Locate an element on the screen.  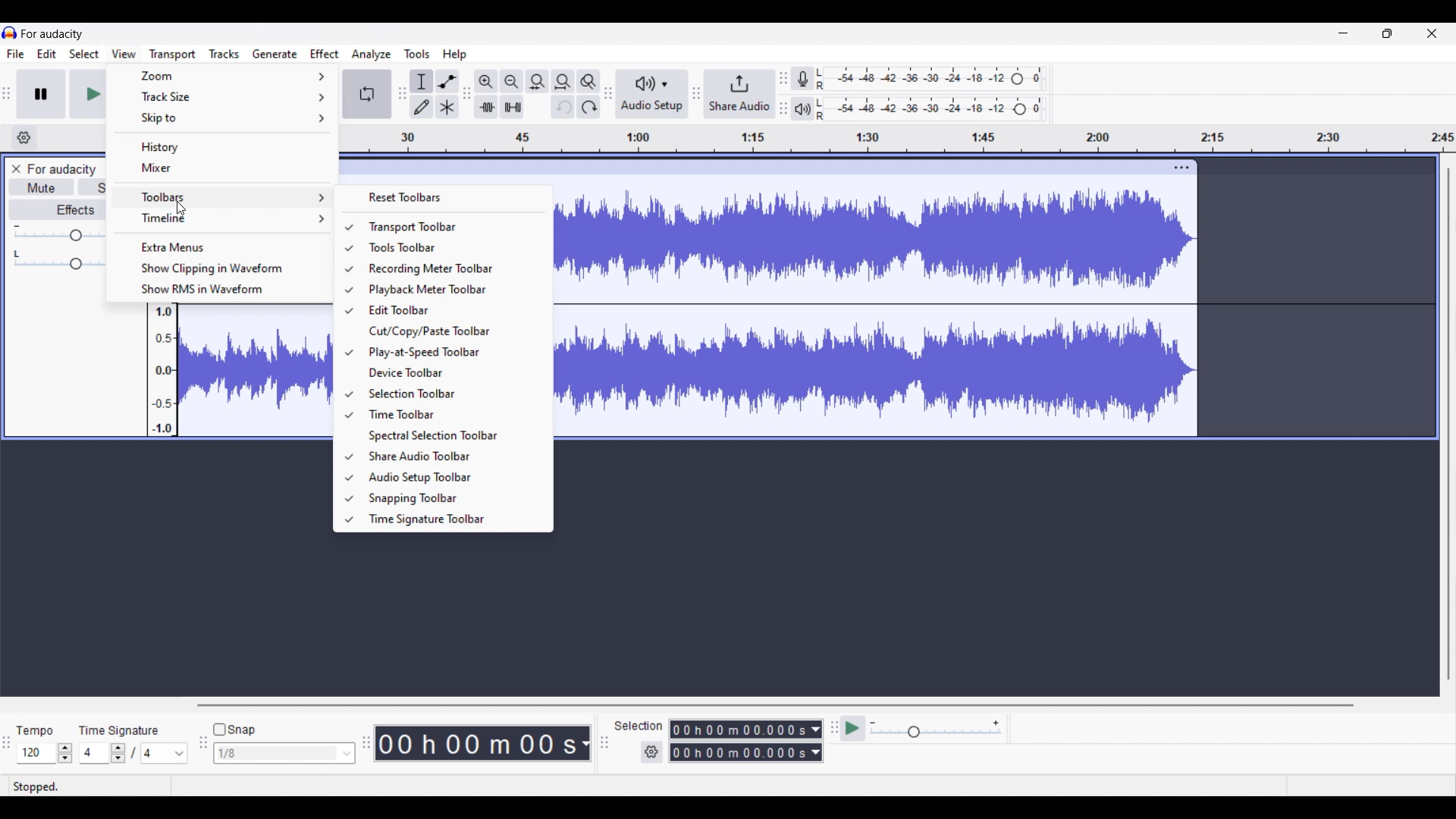
Analyze is located at coordinates (372, 55).